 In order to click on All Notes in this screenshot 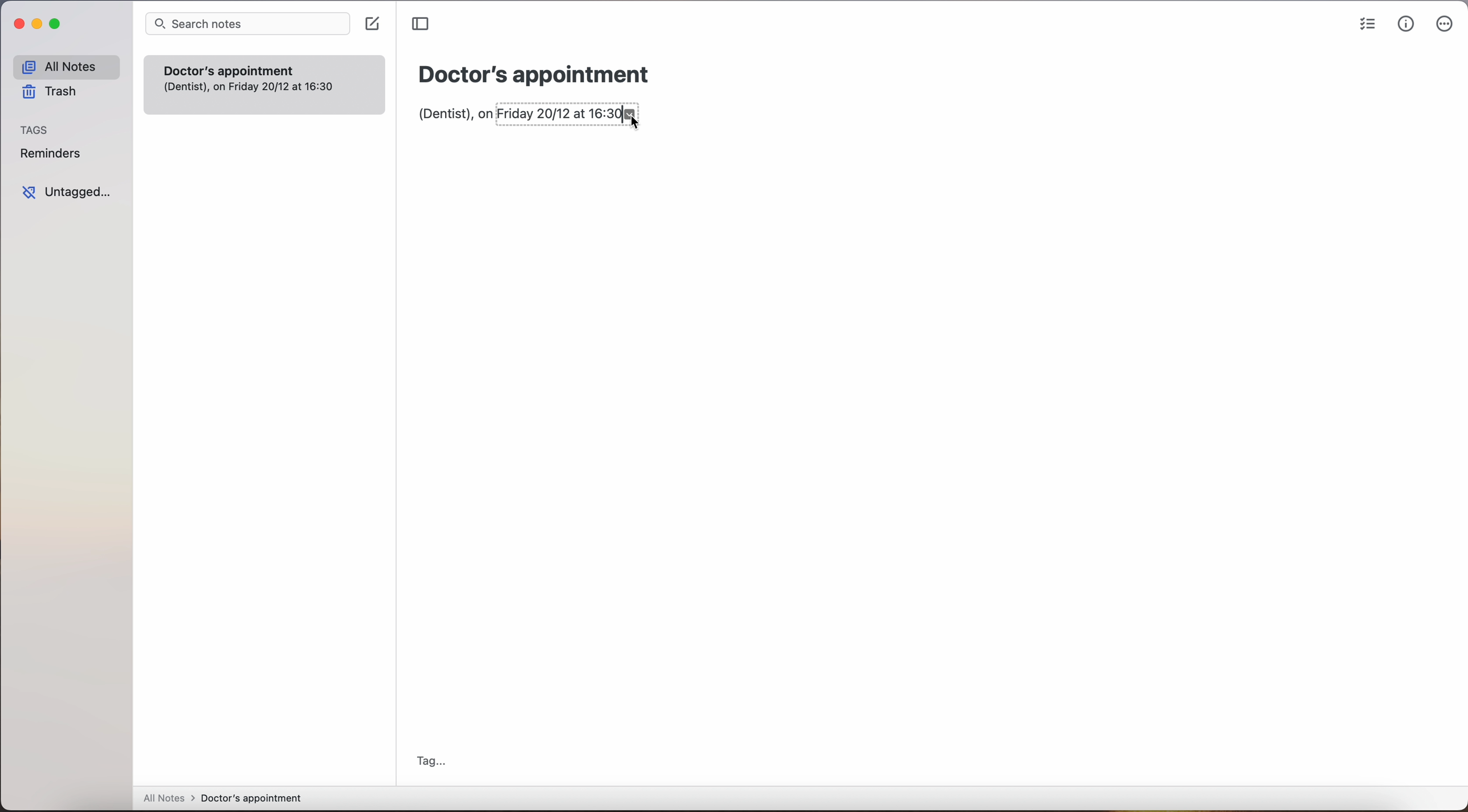, I will do `click(65, 65)`.